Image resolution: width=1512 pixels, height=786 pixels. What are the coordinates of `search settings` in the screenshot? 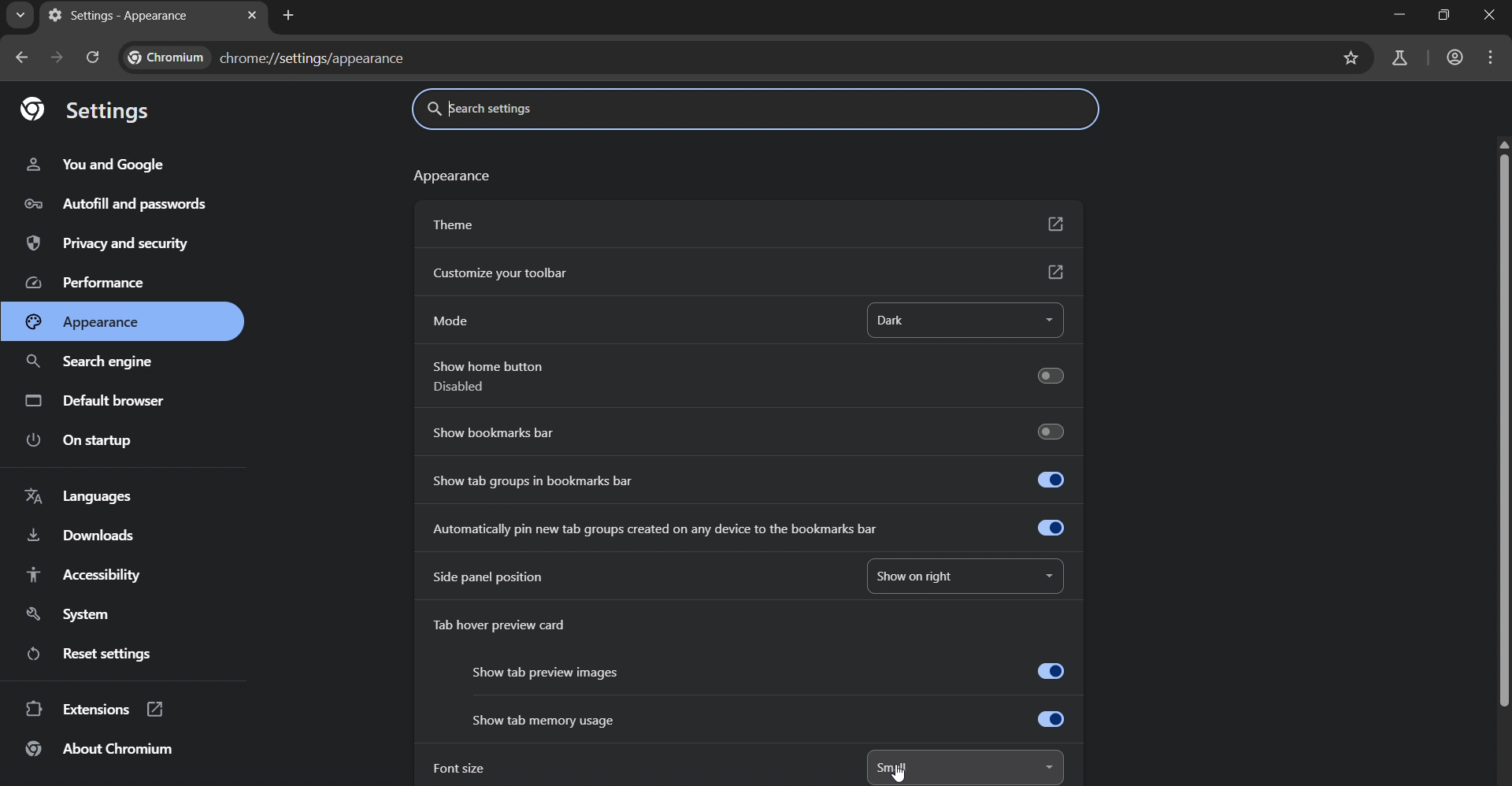 It's located at (506, 108).